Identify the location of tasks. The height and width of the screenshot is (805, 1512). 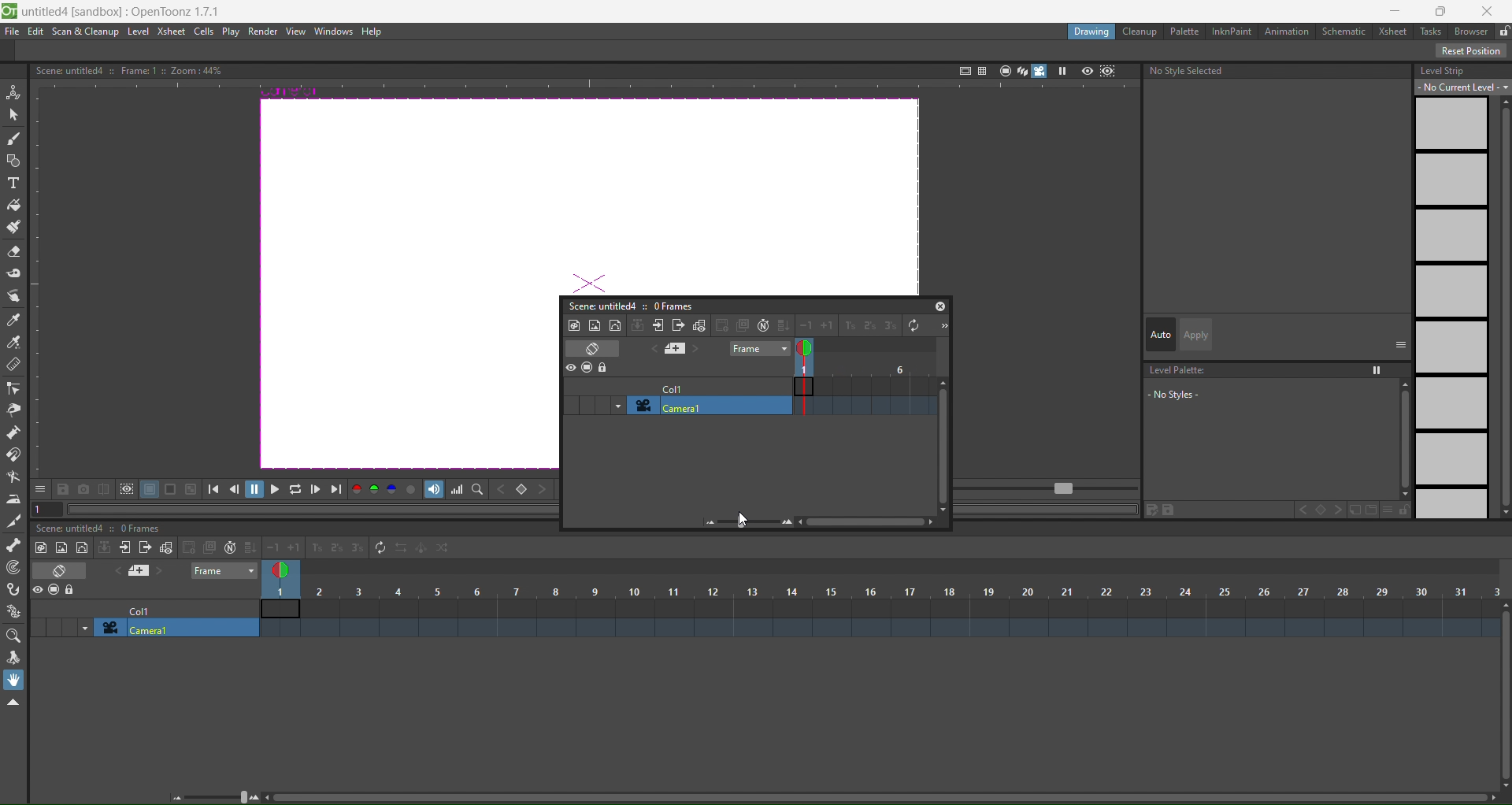
(1433, 31).